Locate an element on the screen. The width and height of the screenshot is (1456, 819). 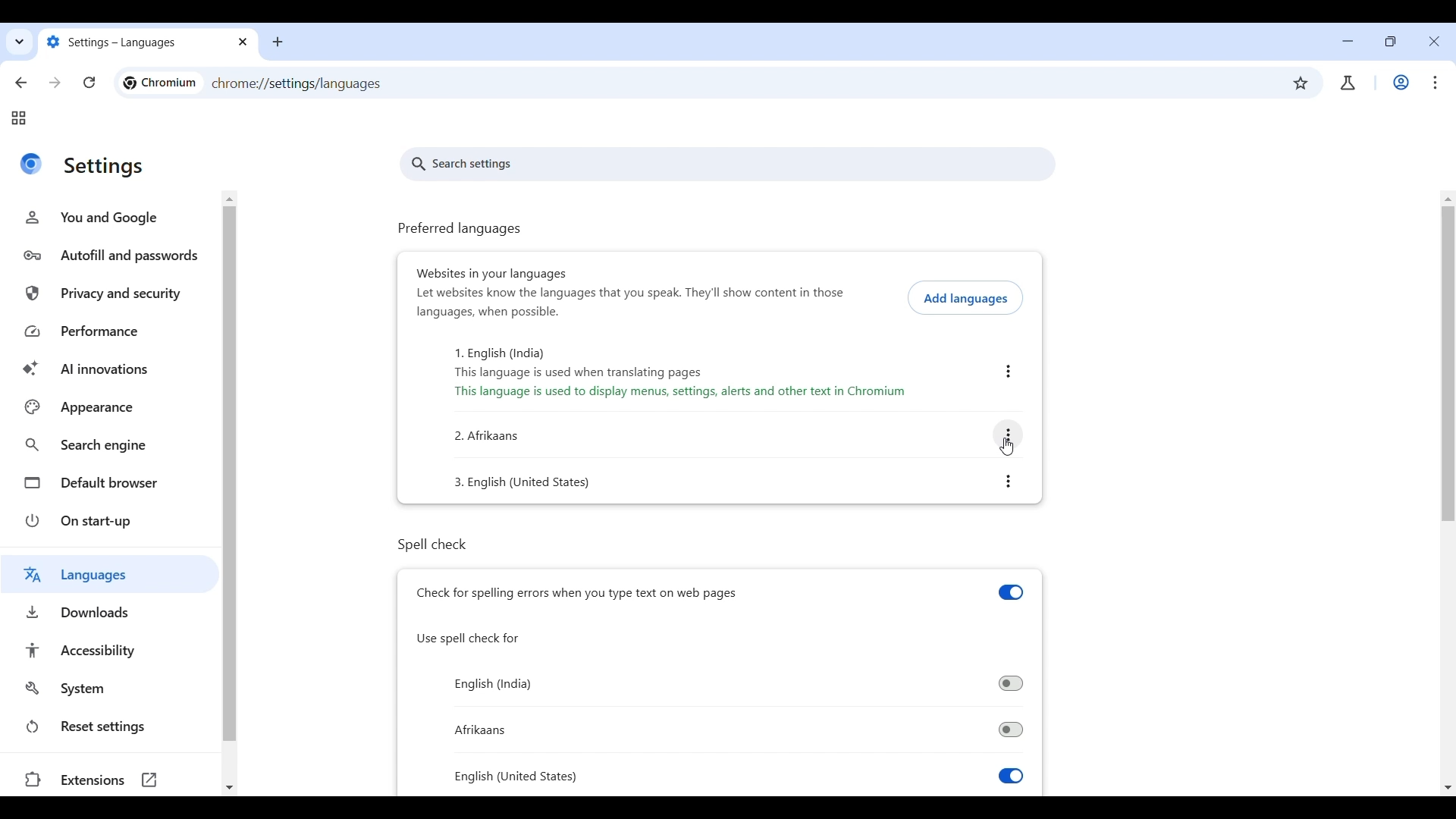
Reset settings is located at coordinates (113, 726).